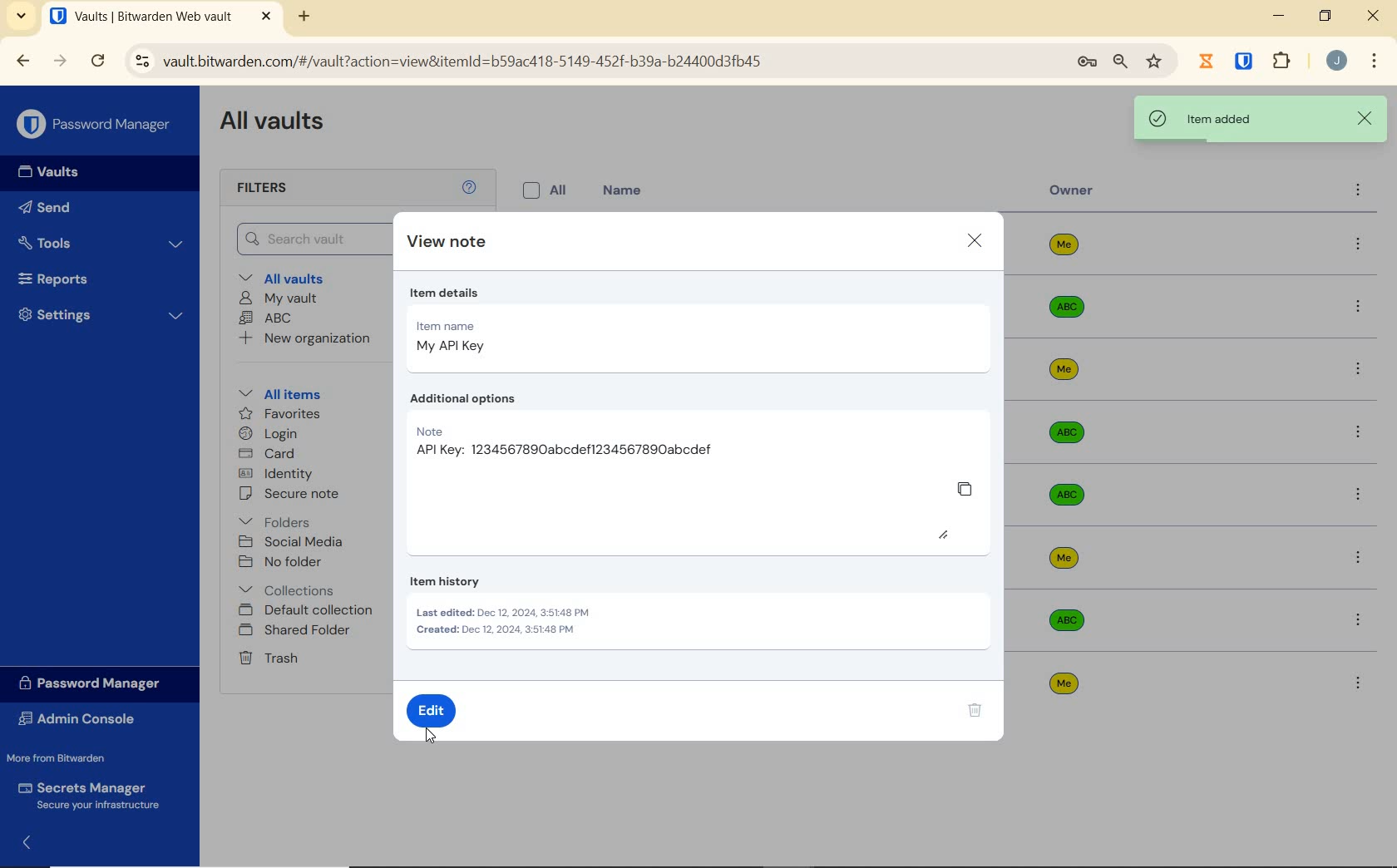  What do you see at coordinates (277, 522) in the screenshot?
I see `folders` at bounding box center [277, 522].